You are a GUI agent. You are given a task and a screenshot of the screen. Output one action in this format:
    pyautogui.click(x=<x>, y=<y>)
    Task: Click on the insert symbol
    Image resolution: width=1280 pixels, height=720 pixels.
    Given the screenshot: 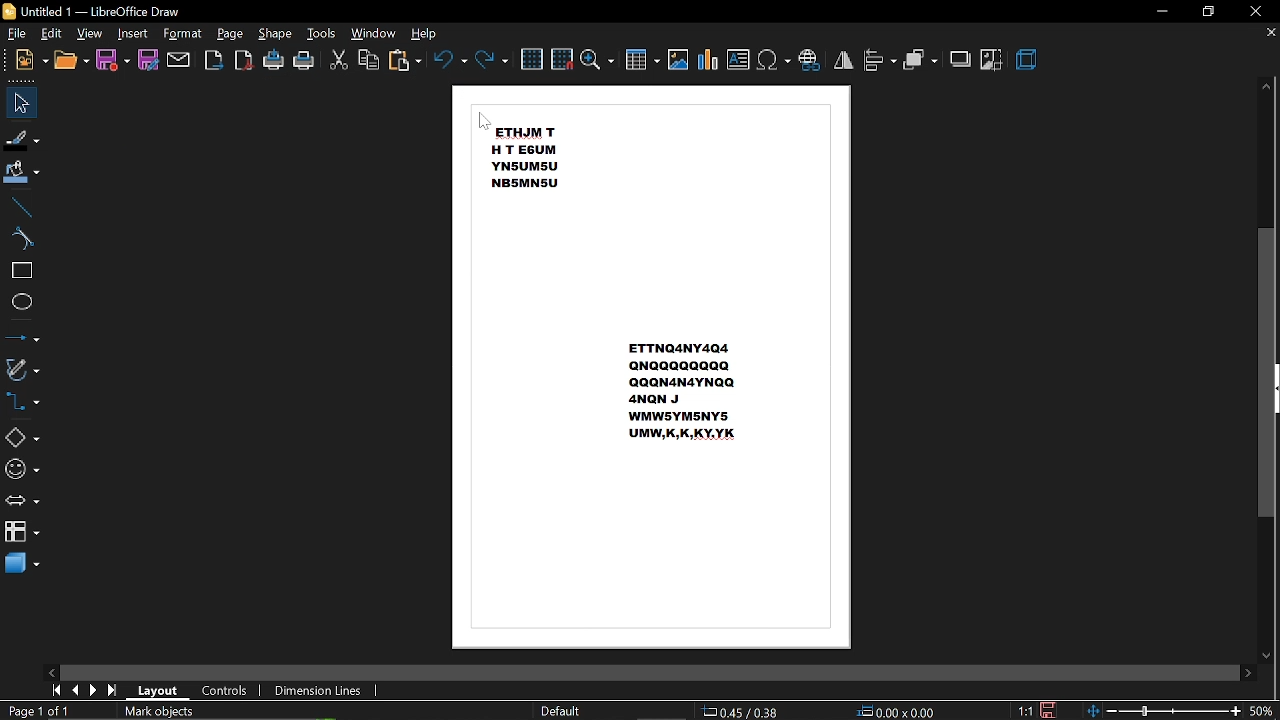 What is the action you would take?
    pyautogui.click(x=773, y=60)
    